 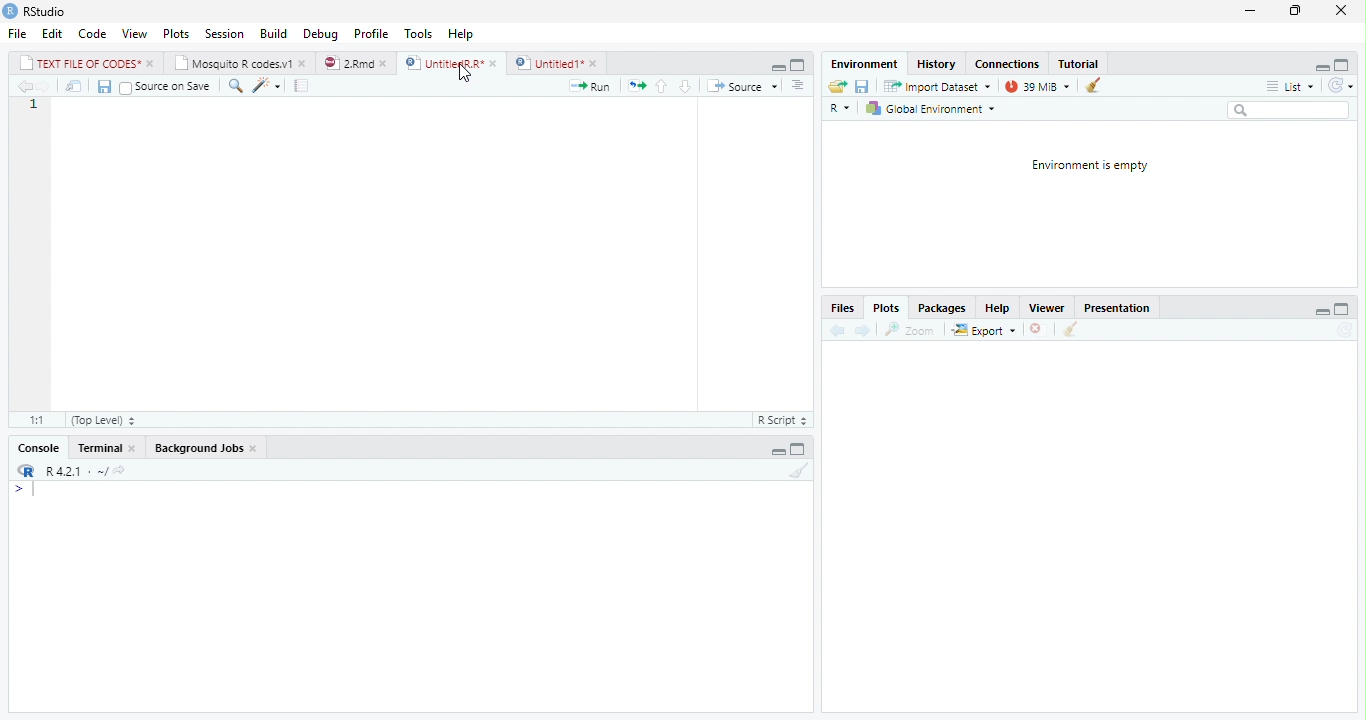 I want to click on Minimize, so click(x=779, y=451).